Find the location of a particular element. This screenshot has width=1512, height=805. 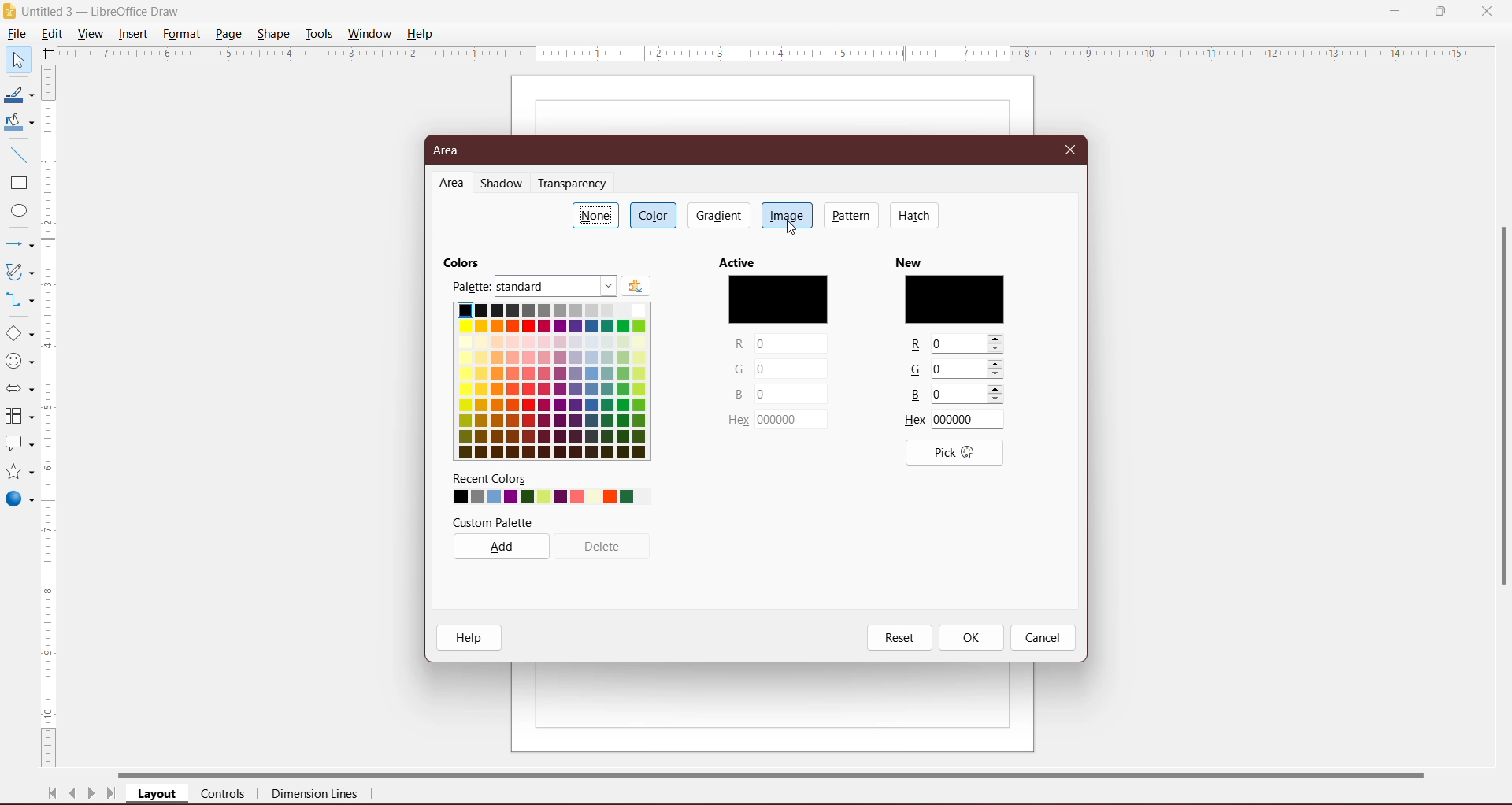

Minimize is located at coordinates (1396, 9).